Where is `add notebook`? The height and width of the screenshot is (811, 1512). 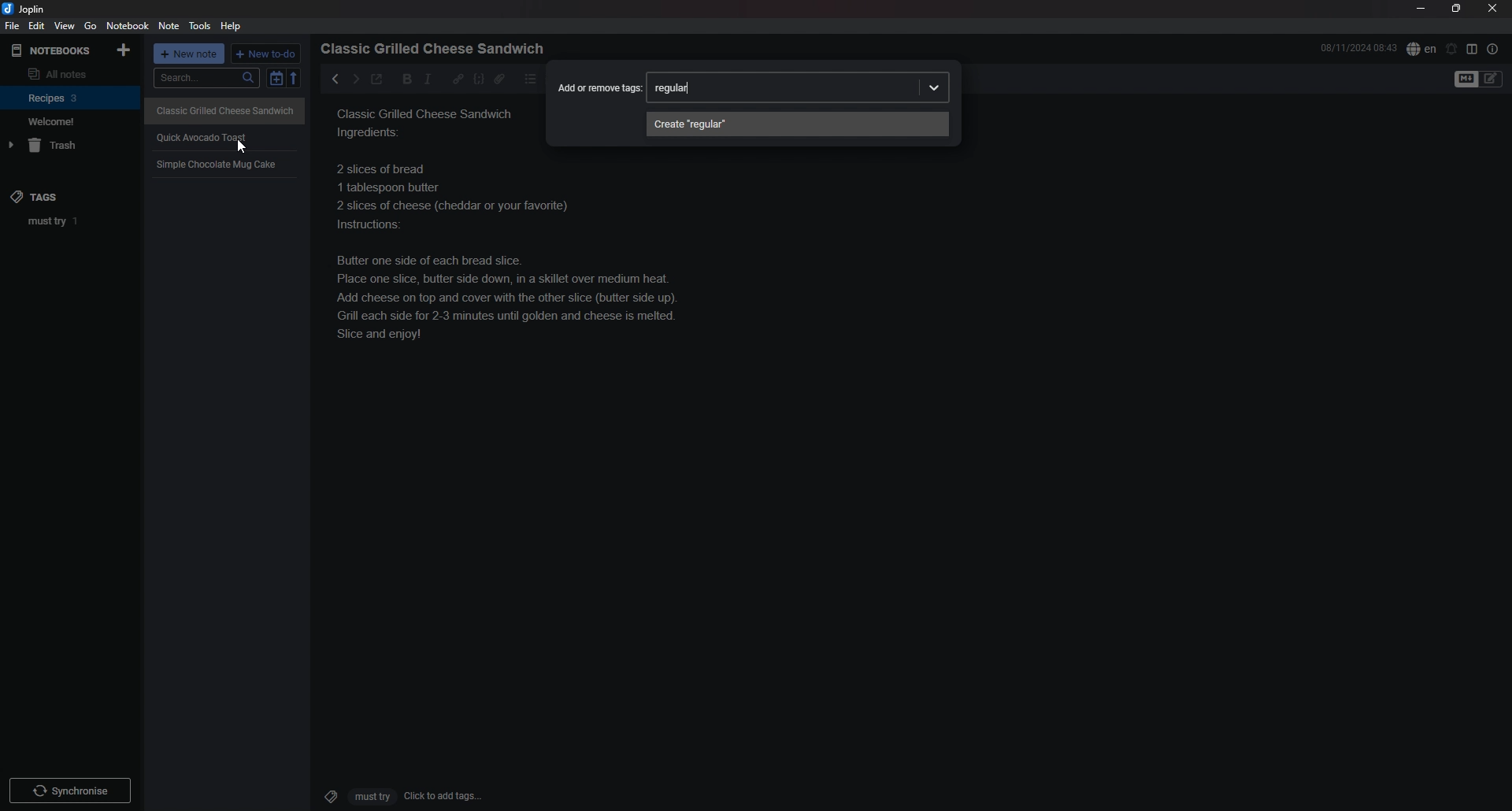 add notebook is located at coordinates (125, 49).